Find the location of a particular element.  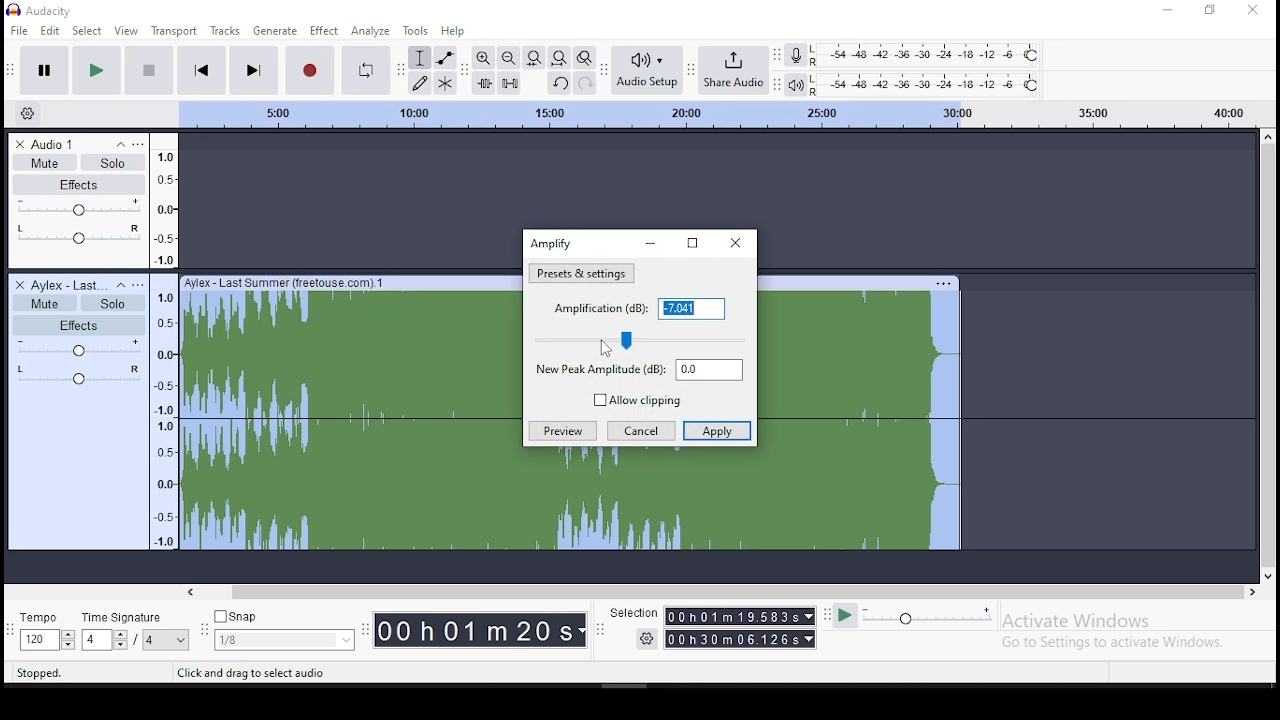

icon is located at coordinates (44, 11).